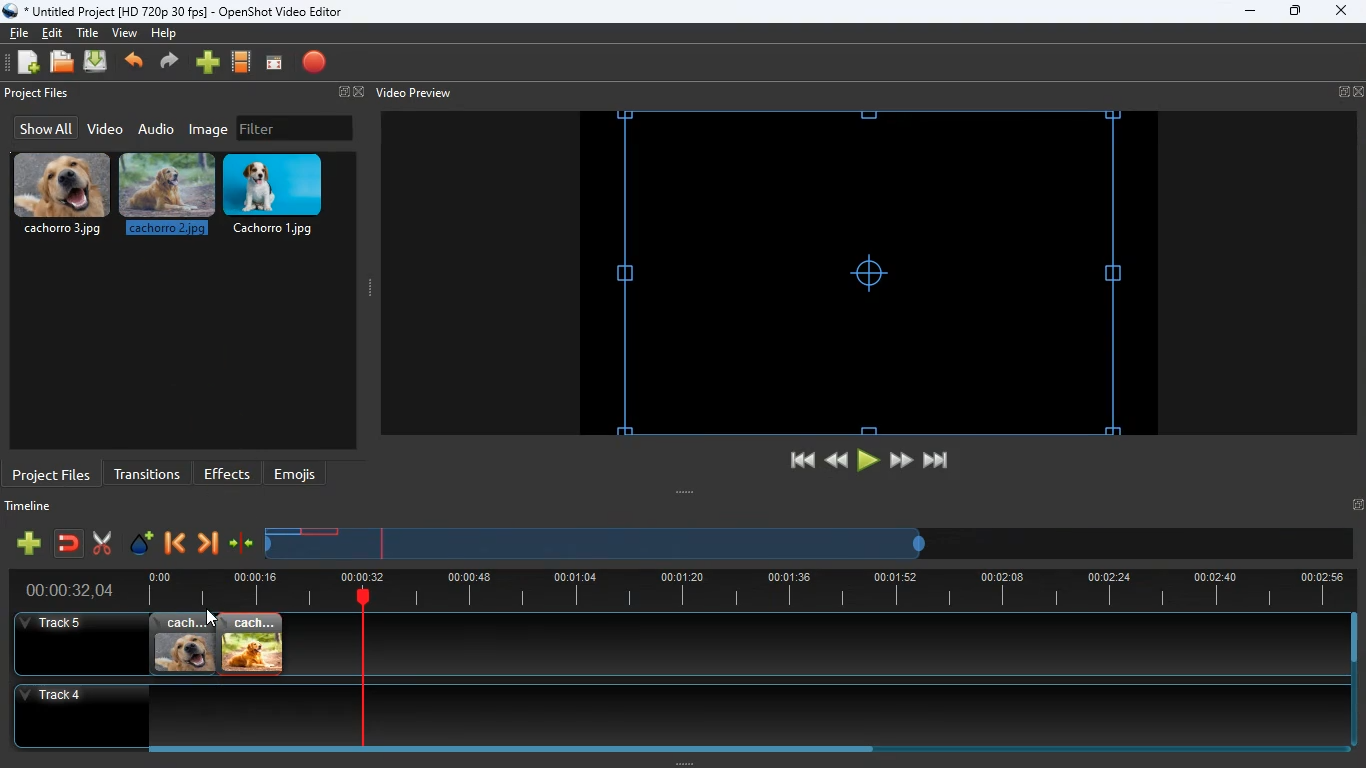 The height and width of the screenshot is (768, 1366). What do you see at coordinates (30, 65) in the screenshot?
I see `add files` at bounding box center [30, 65].